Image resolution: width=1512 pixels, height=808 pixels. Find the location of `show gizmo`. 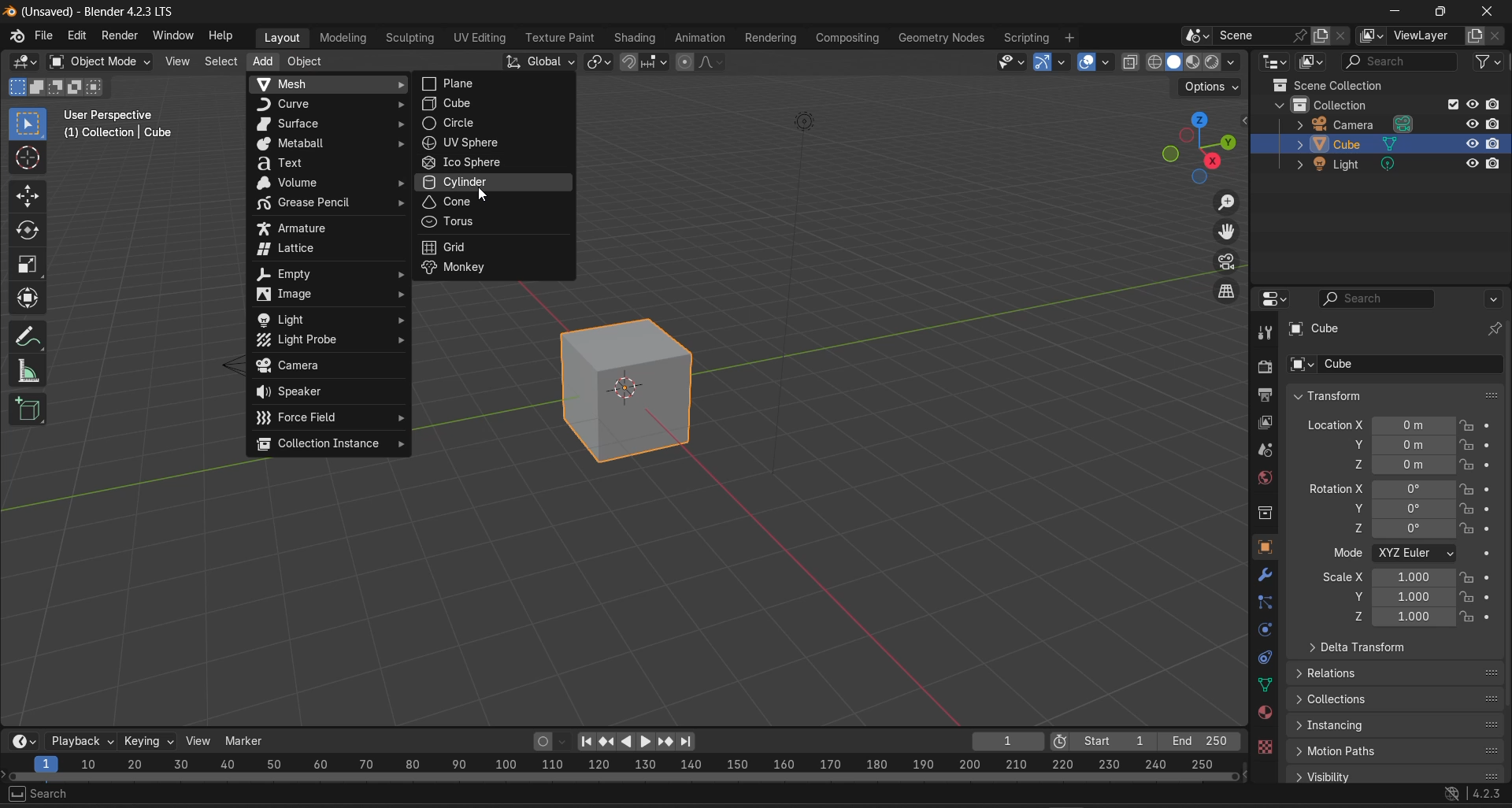

show gizmo is located at coordinates (1041, 62).